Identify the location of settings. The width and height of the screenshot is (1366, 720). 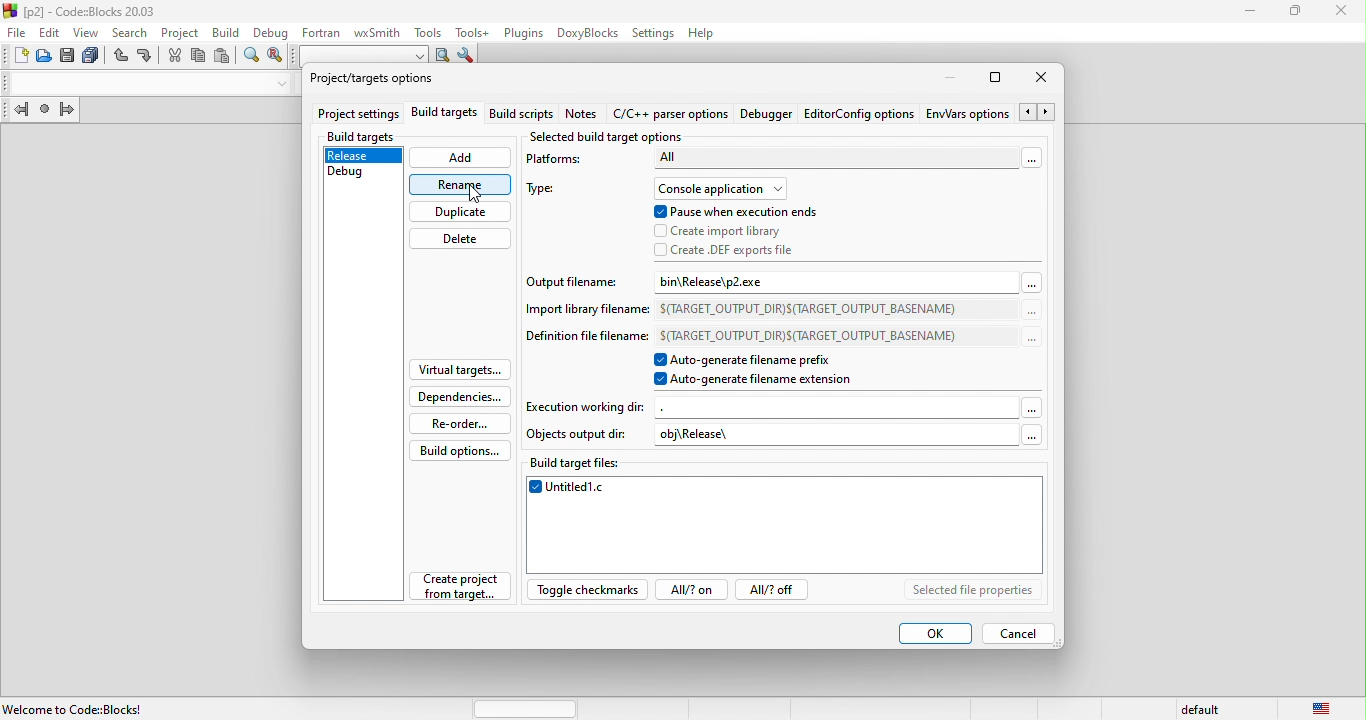
(653, 32).